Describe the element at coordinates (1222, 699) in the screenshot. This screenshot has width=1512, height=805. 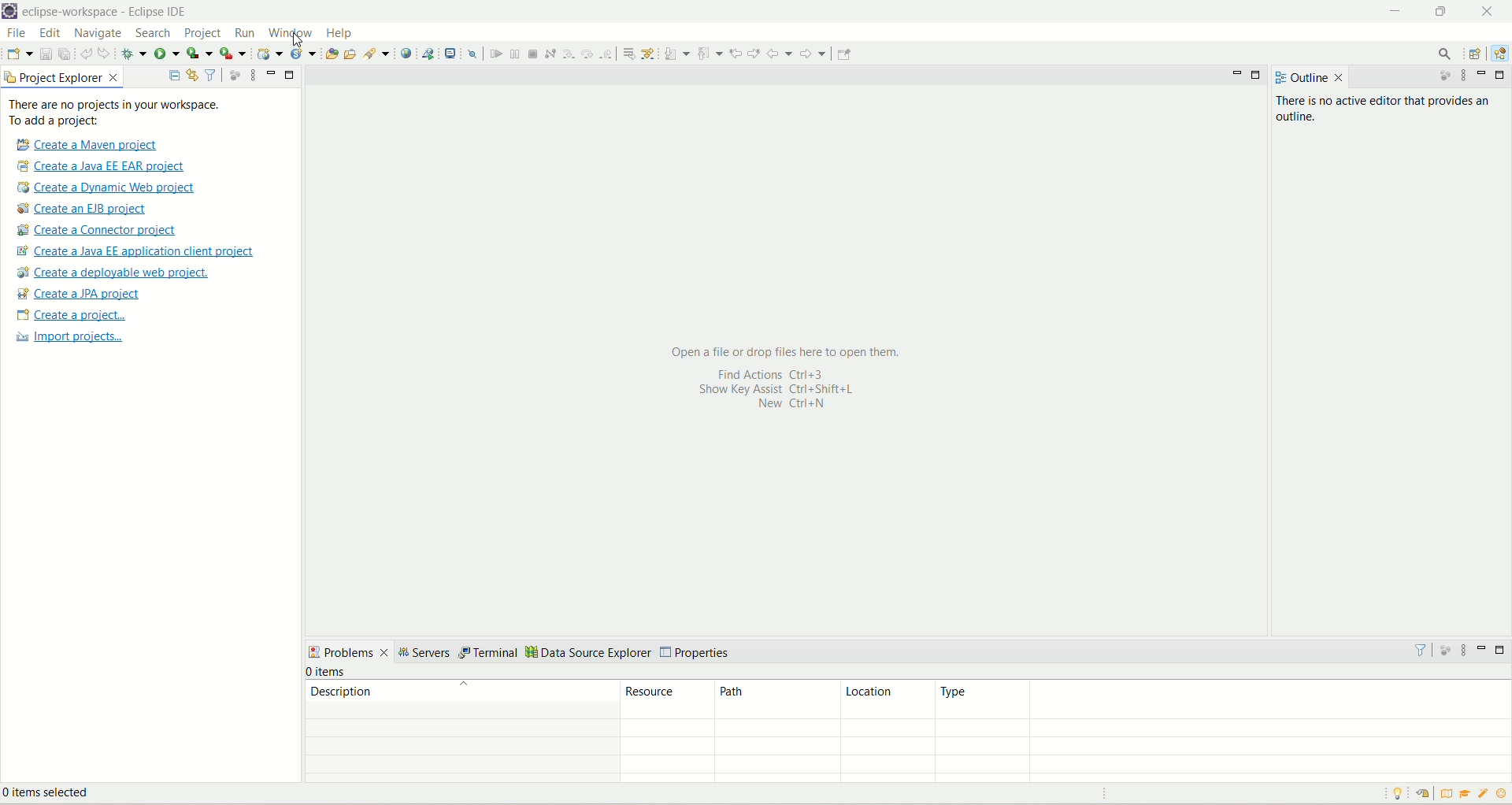
I see `type` at that location.